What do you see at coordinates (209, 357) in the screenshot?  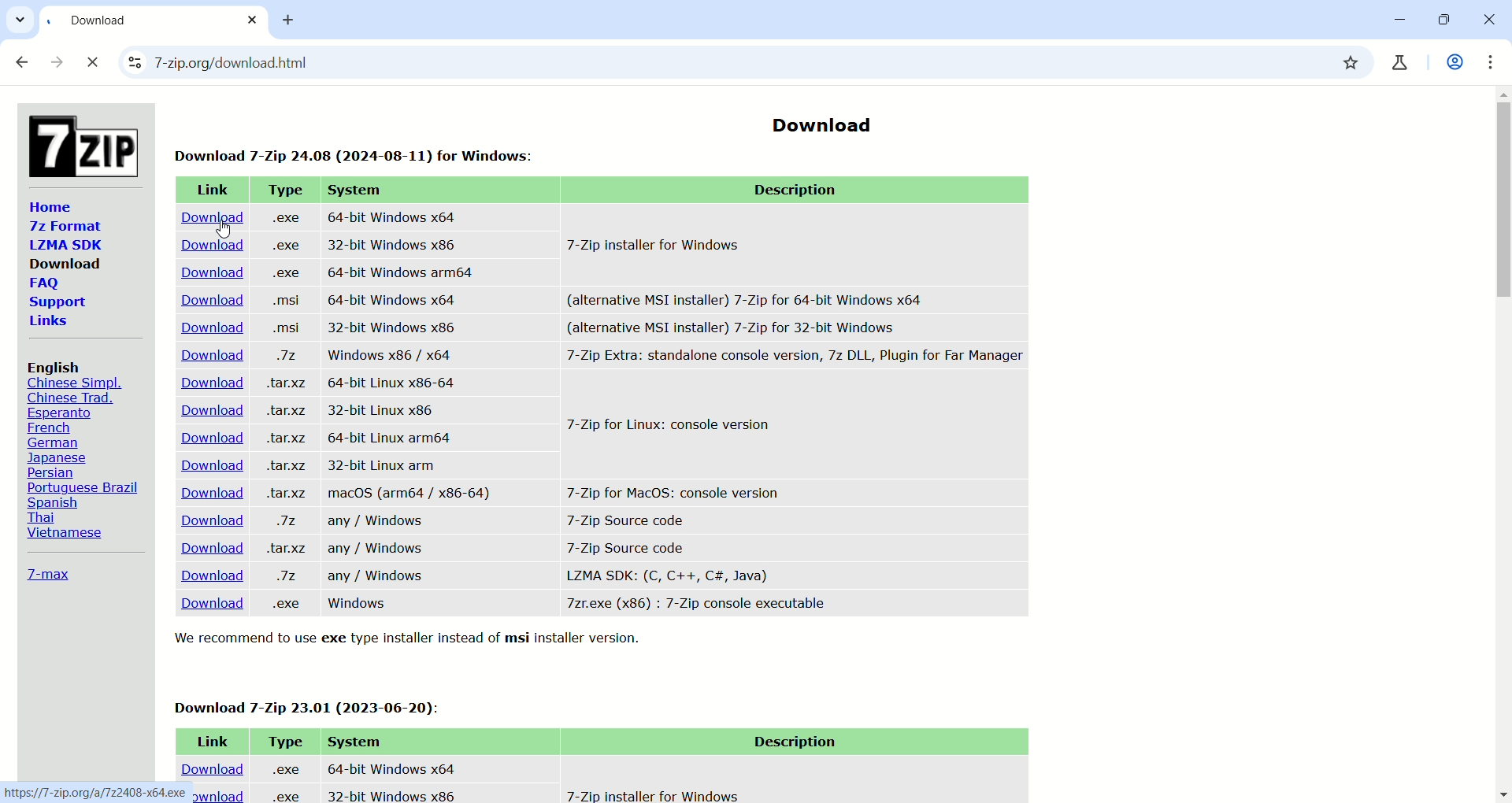 I see `Download` at bounding box center [209, 357].